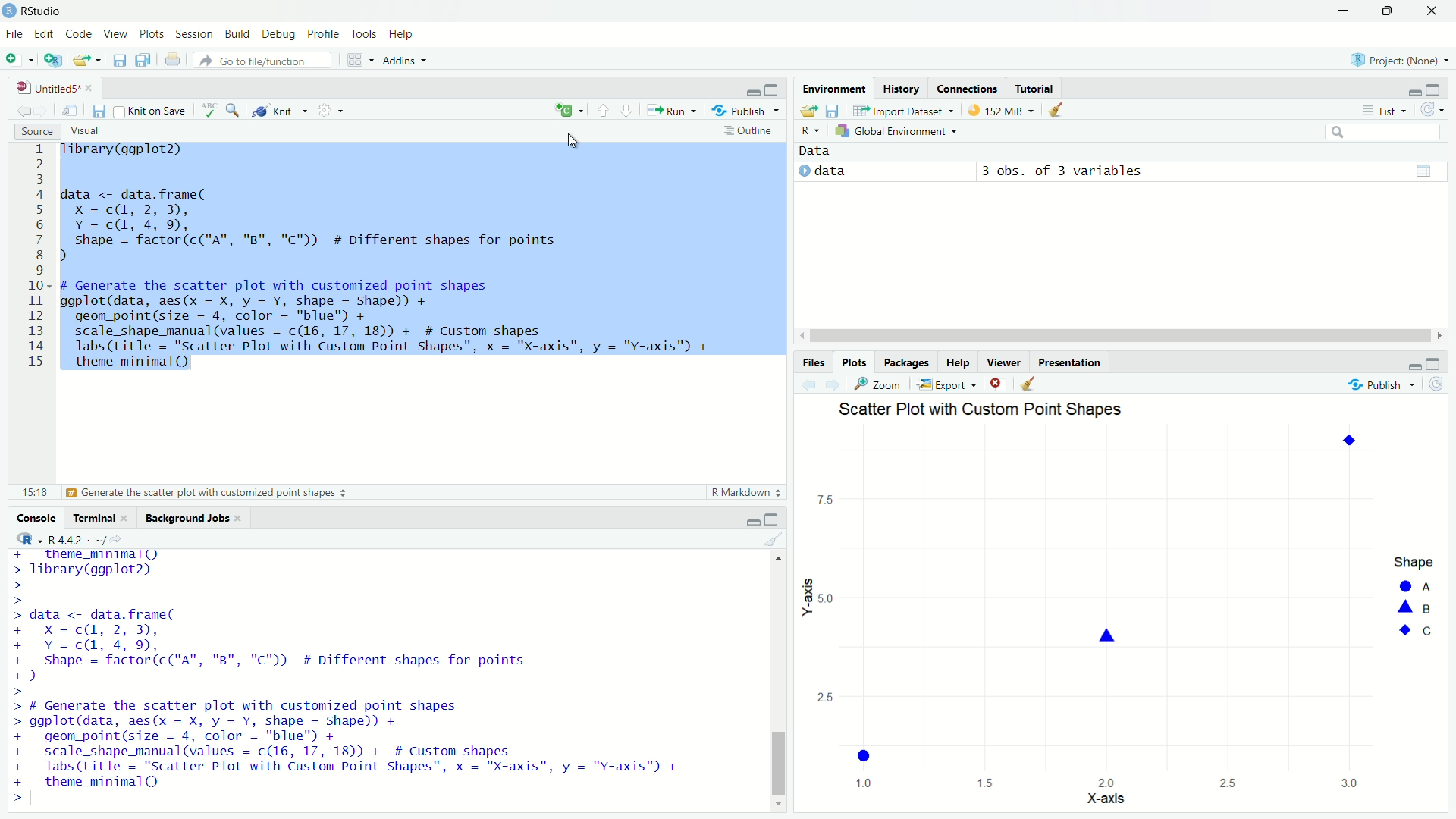  I want to click on Go to file/function, so click(262, 61).